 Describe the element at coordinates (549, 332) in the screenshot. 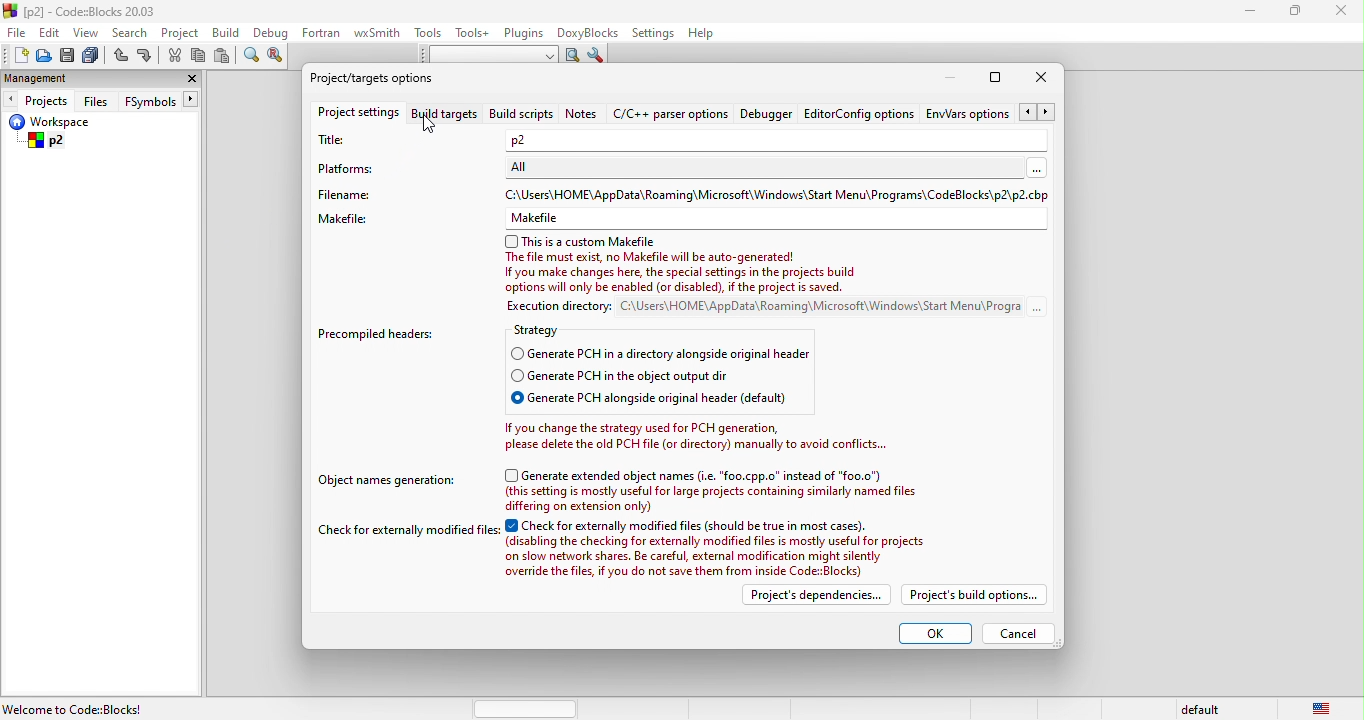

I see `strategy` at that location.